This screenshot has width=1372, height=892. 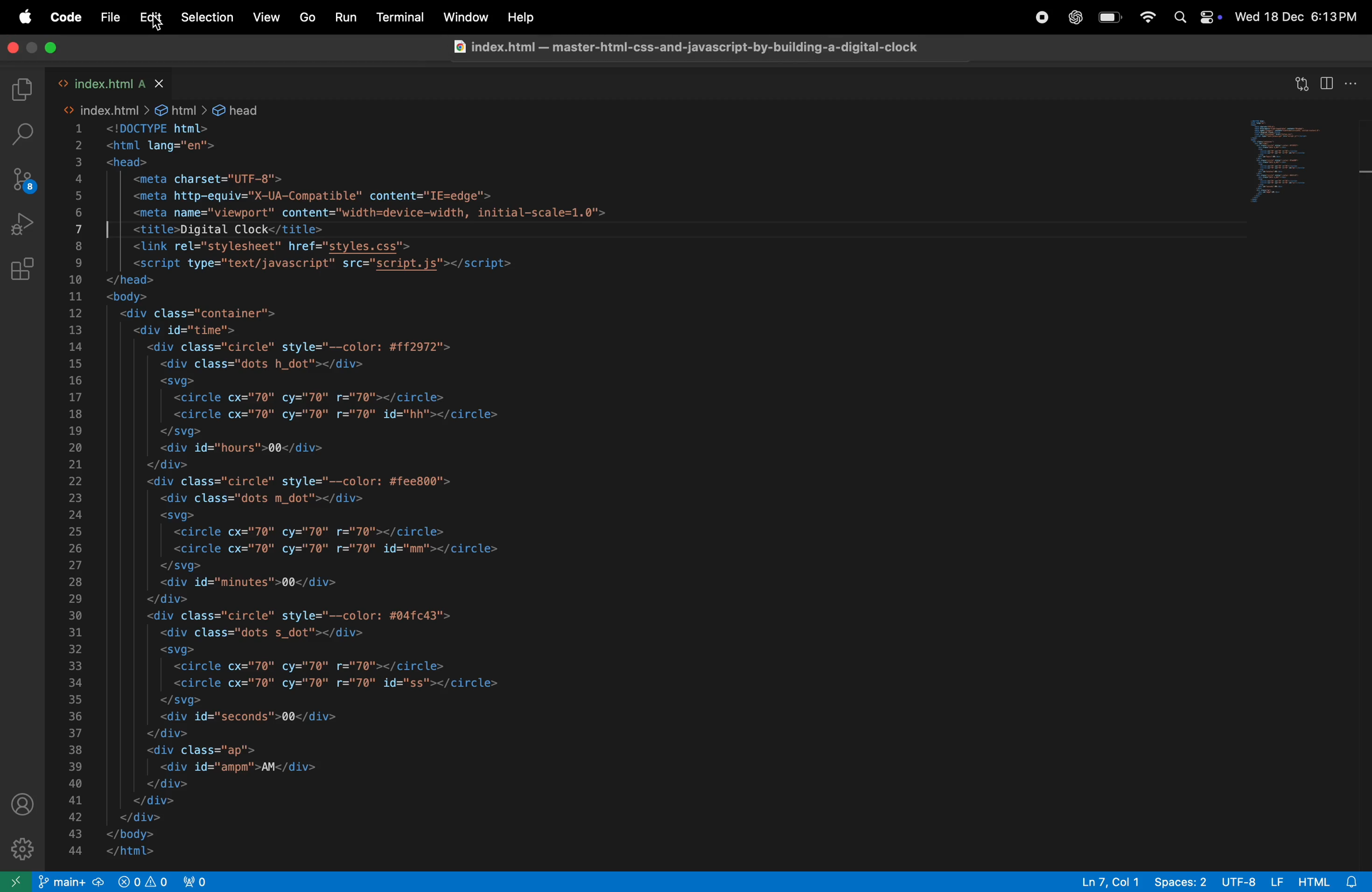 I want to click on ln col 7 and 1, so click(x=1104, y=880).